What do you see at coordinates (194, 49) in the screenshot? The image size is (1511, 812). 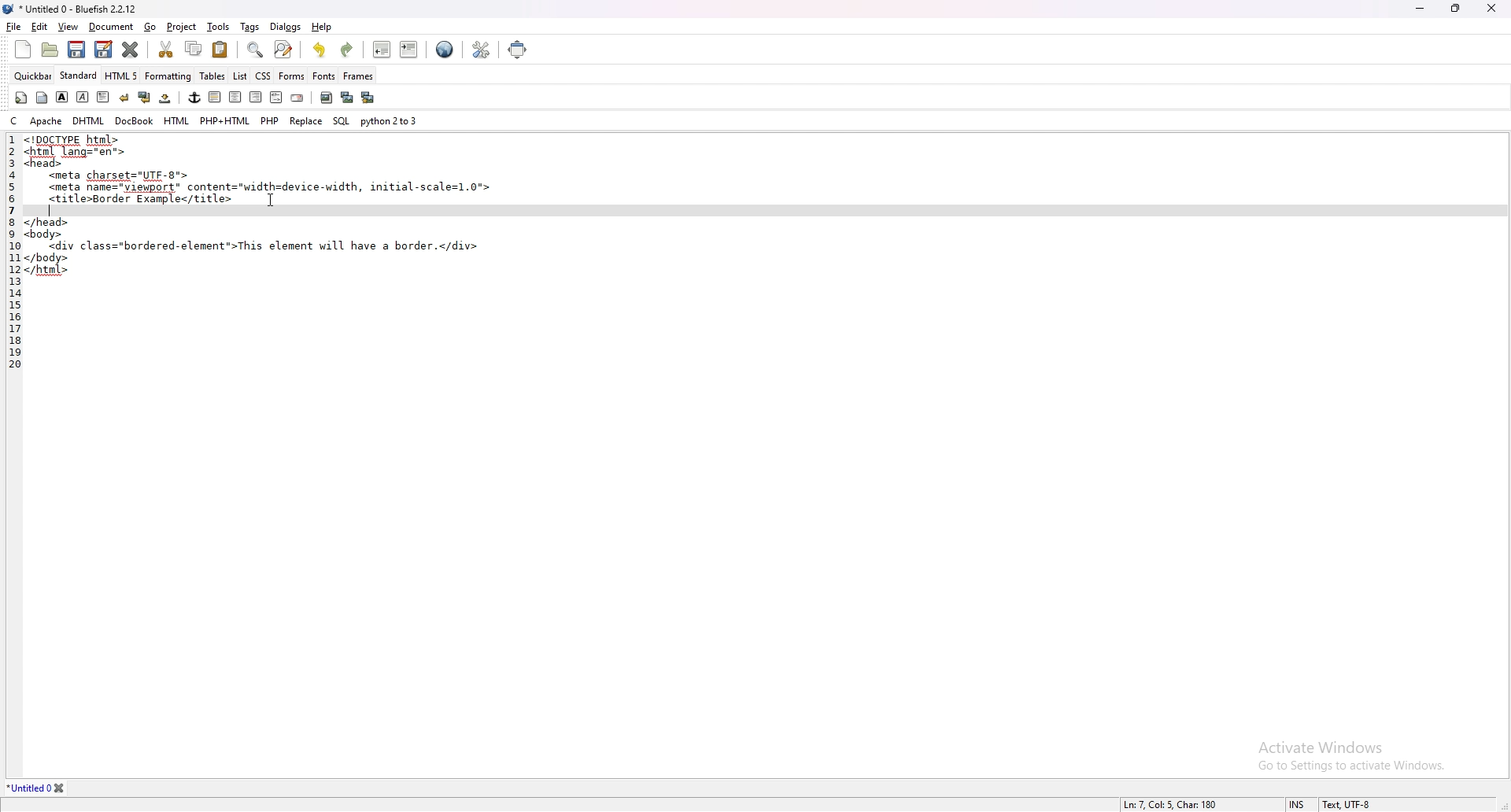 I see `copy` at bounding box center [194, 49].